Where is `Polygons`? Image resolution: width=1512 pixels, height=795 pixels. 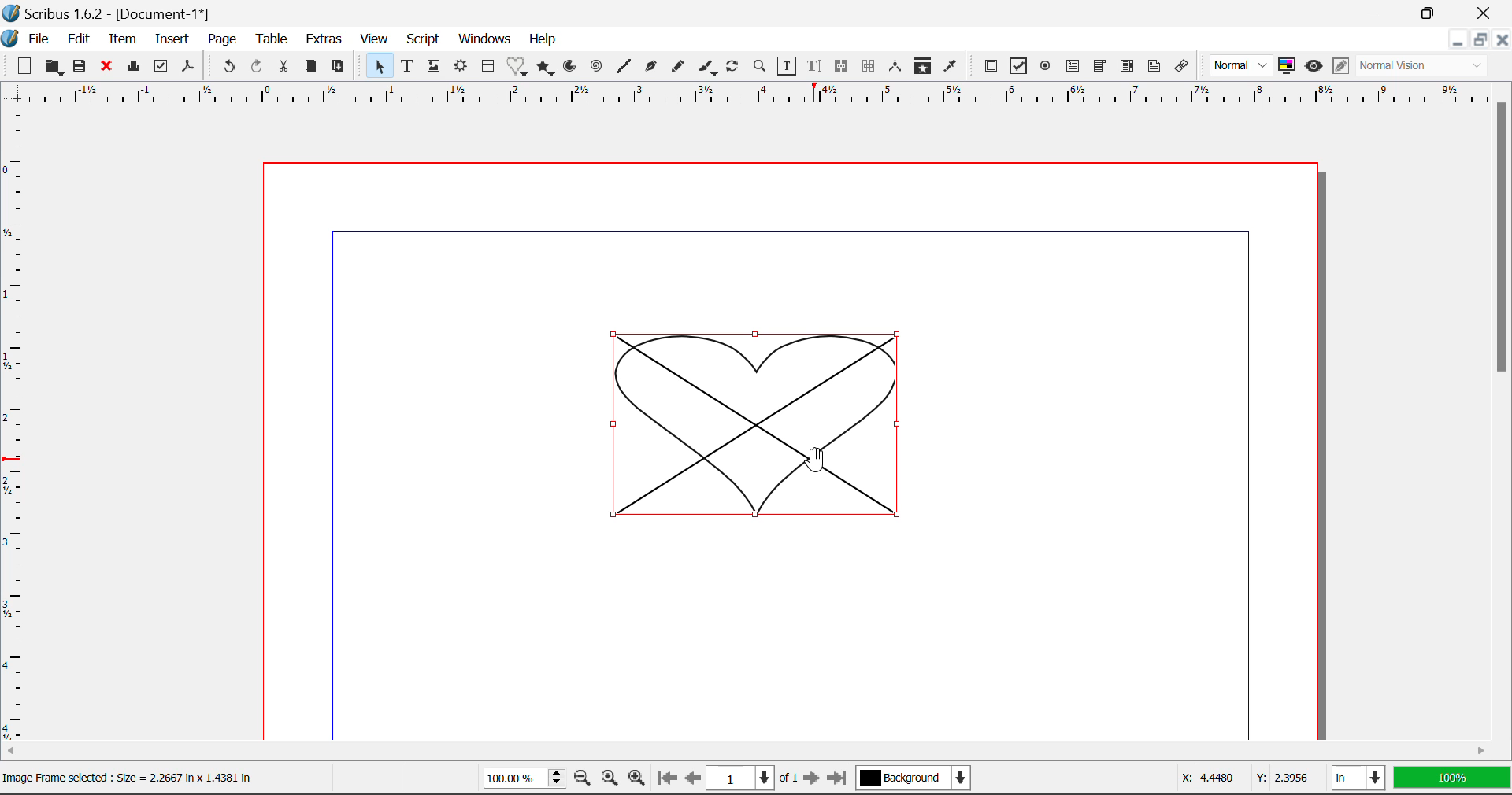
Polygons is located at coordinates (547, 68).